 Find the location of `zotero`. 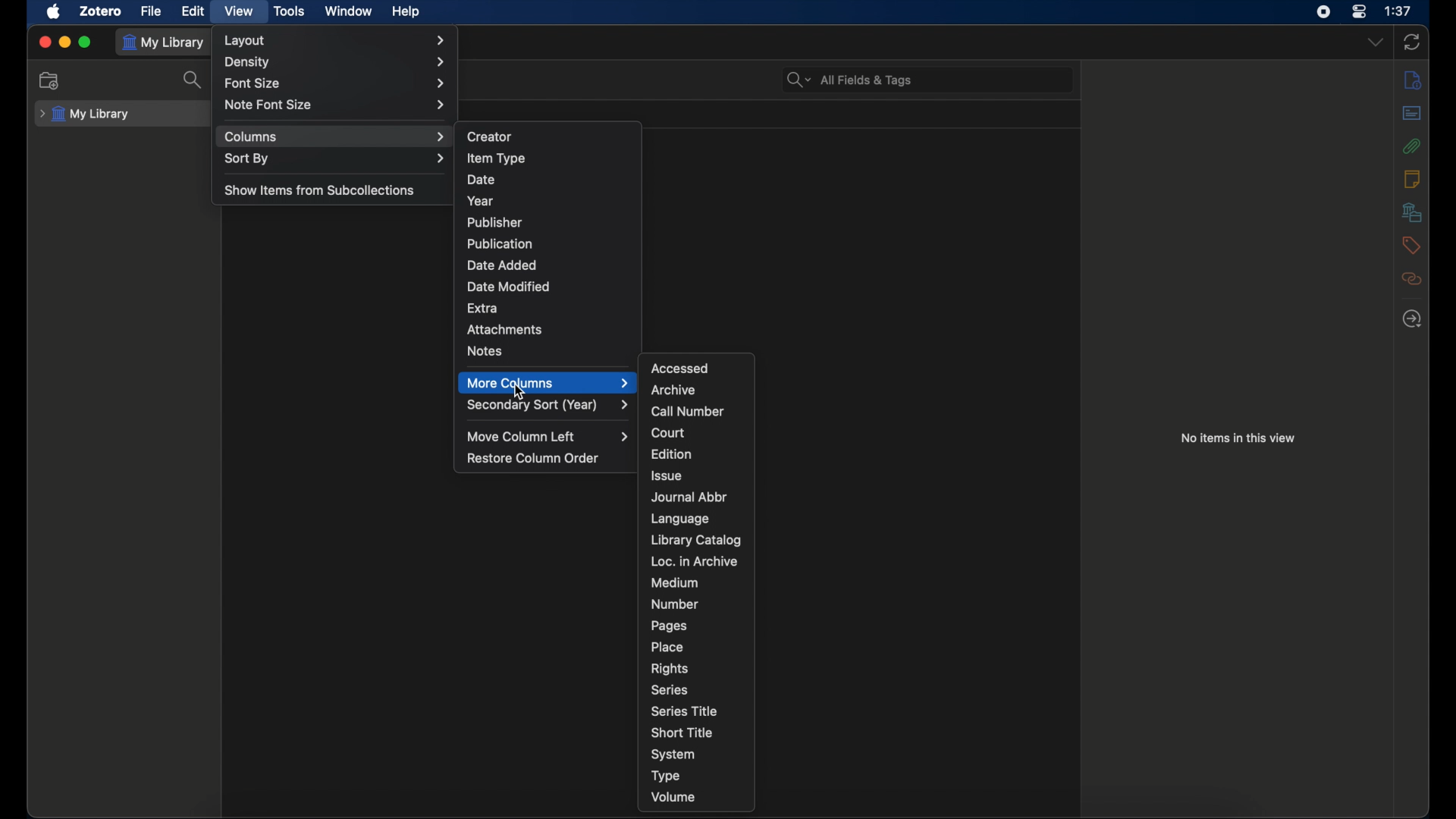

zotero is located at coordinates (102, 11).